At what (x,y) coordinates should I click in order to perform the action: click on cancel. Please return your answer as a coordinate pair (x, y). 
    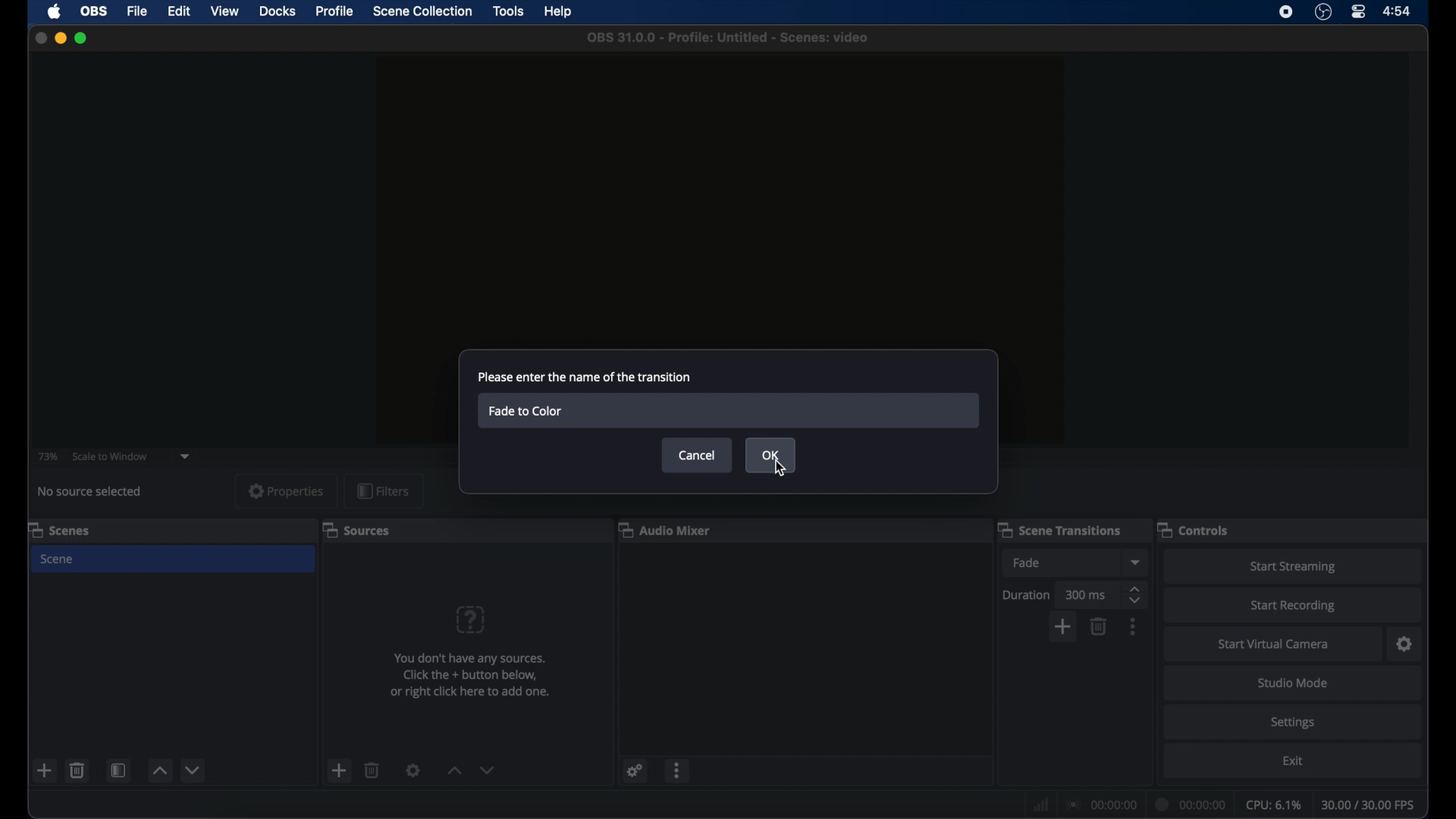
    Looking at the image, I should click on (698, 456).